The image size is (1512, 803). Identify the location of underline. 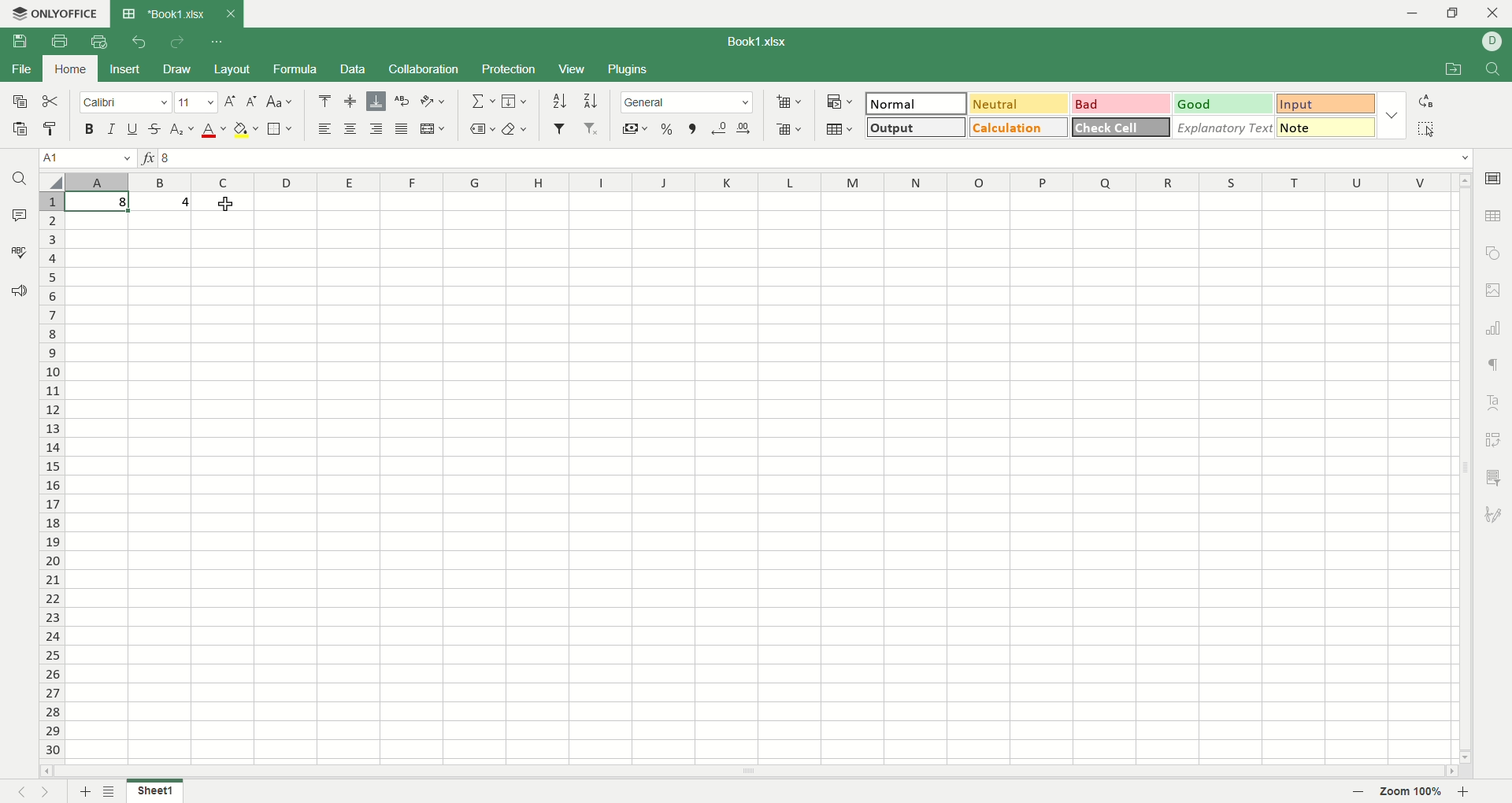
(133, 128).